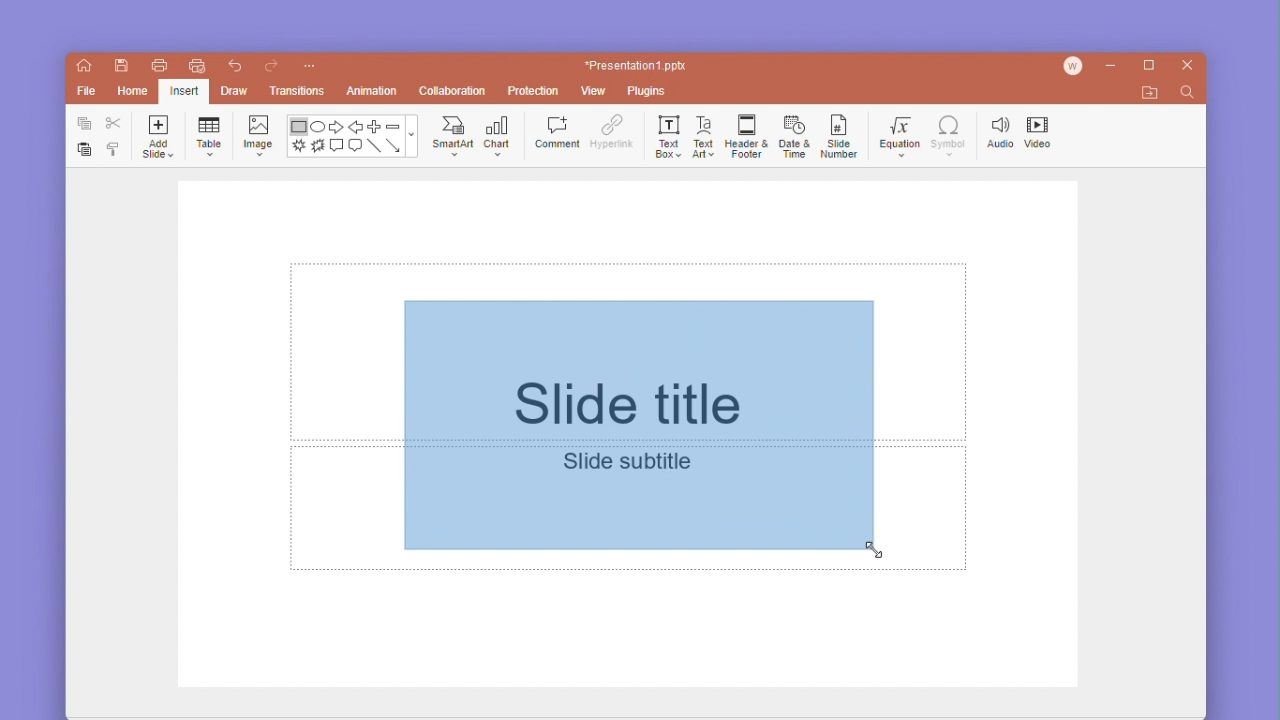  What do you see at coordinates (557, 132) in the screenshot?
I see `comment` at bounding box center [557, 132].